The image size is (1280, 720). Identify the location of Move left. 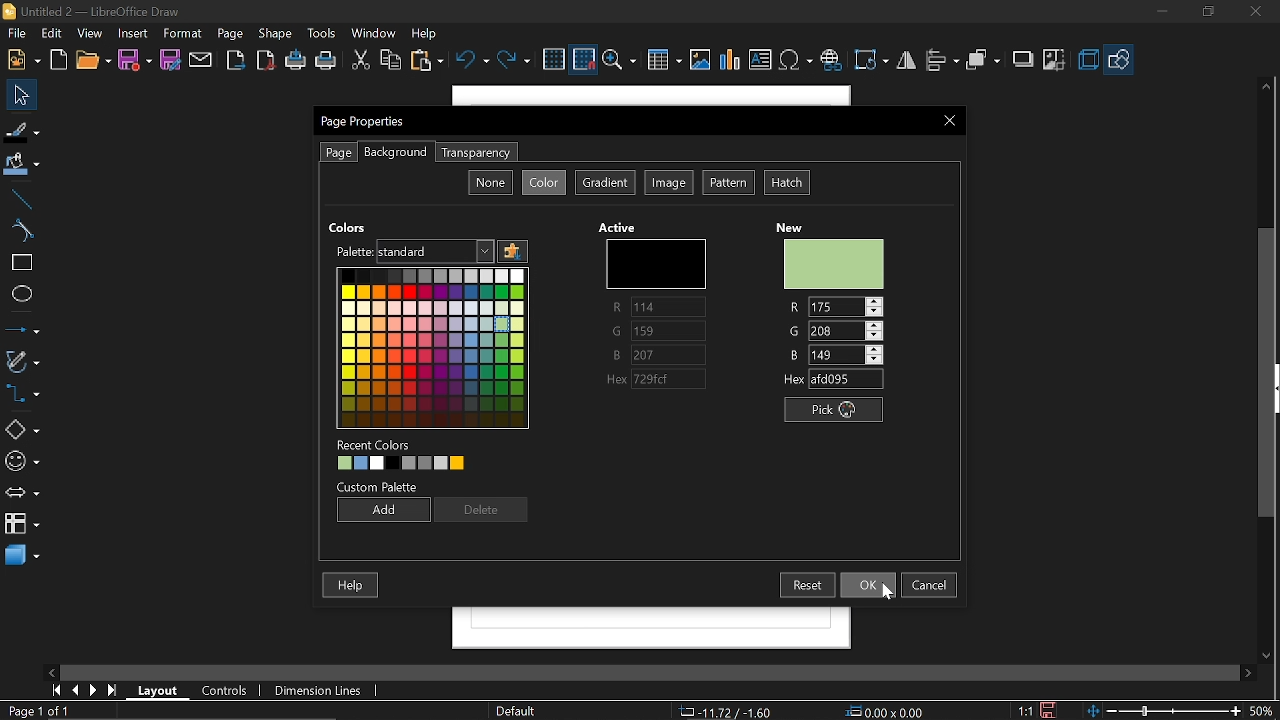
(49, 671).